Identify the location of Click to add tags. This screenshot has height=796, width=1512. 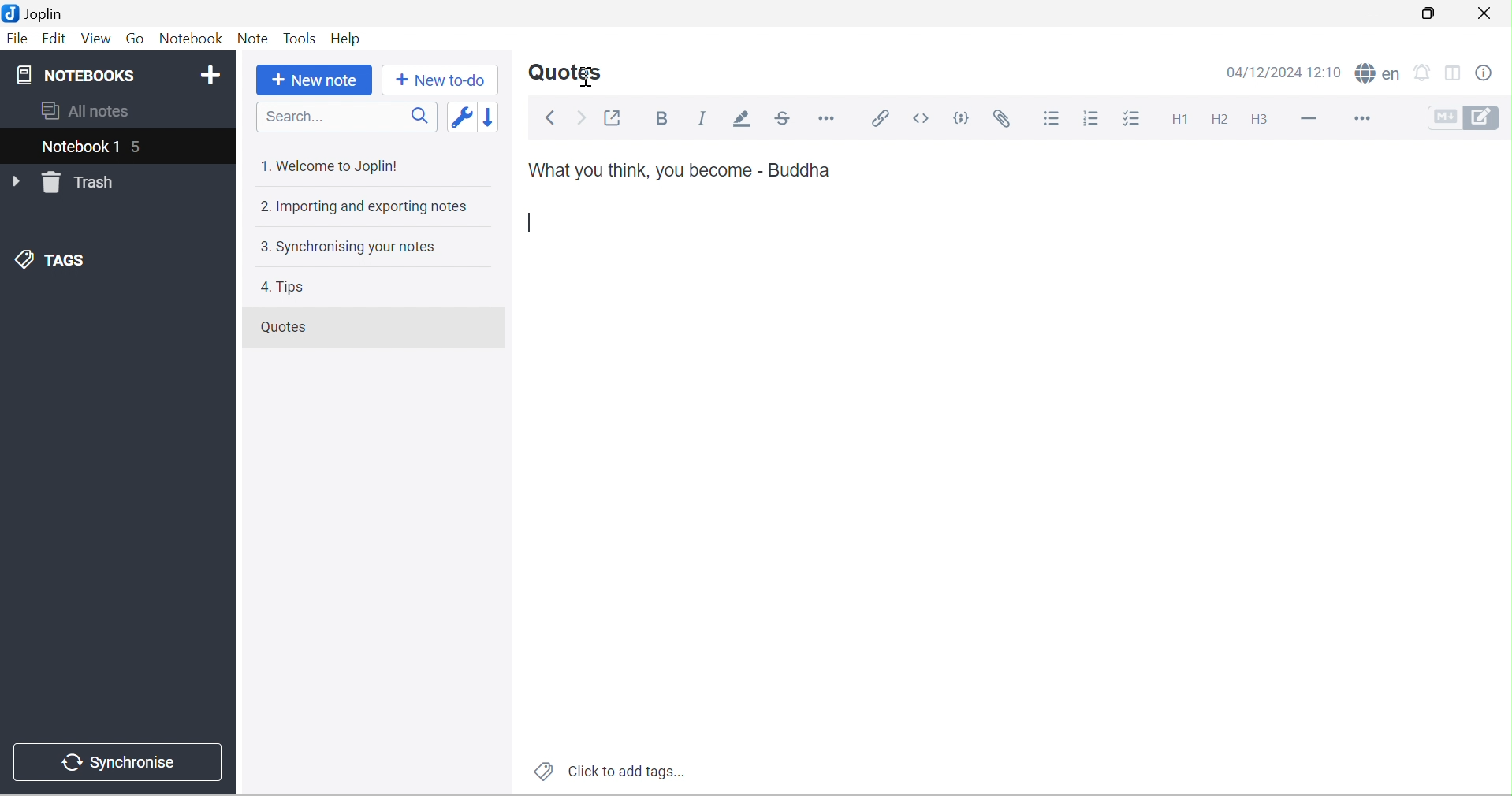
(612, 770).